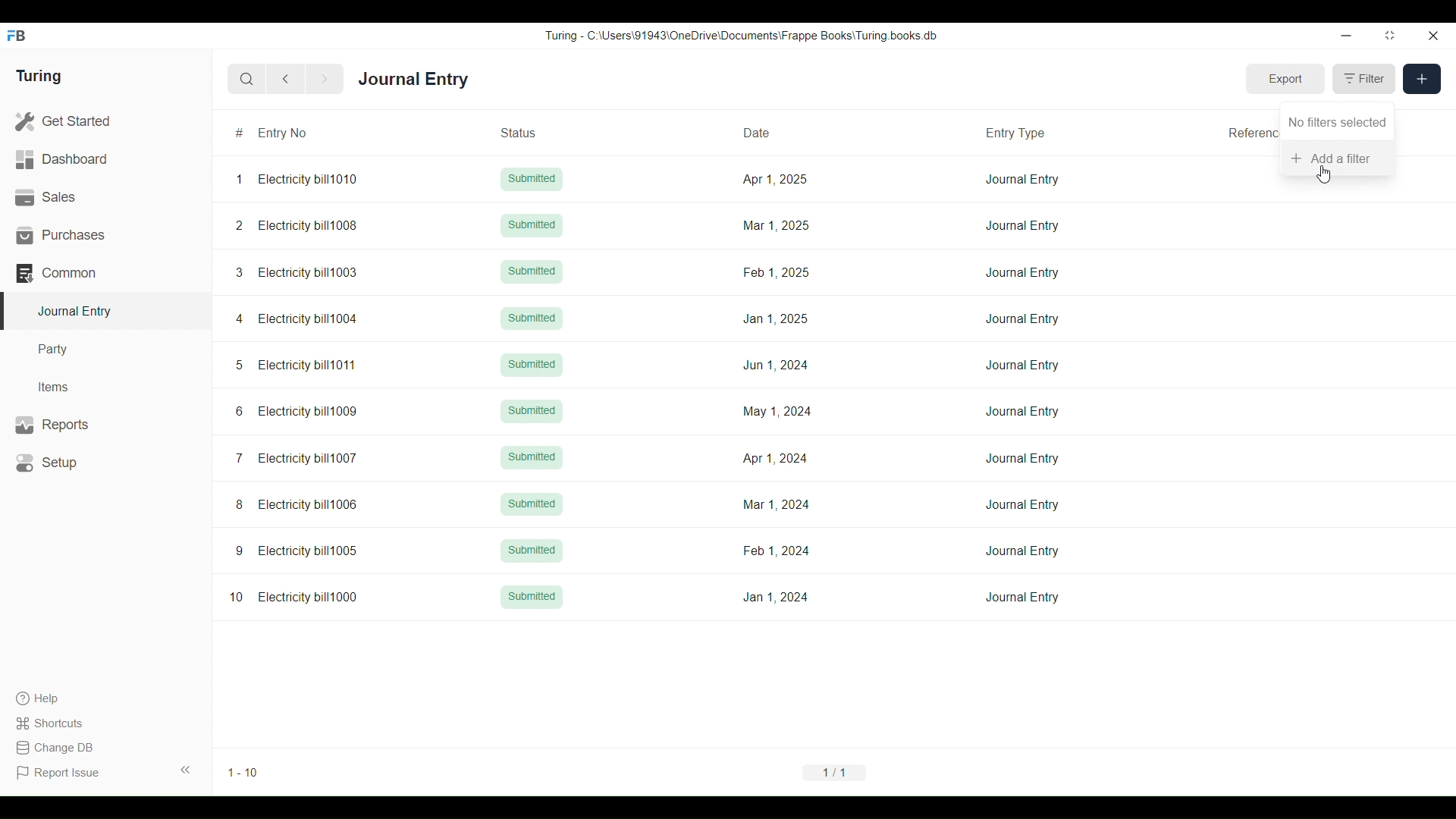  I want to click on Jan 1, 2024, so click(775, 597).